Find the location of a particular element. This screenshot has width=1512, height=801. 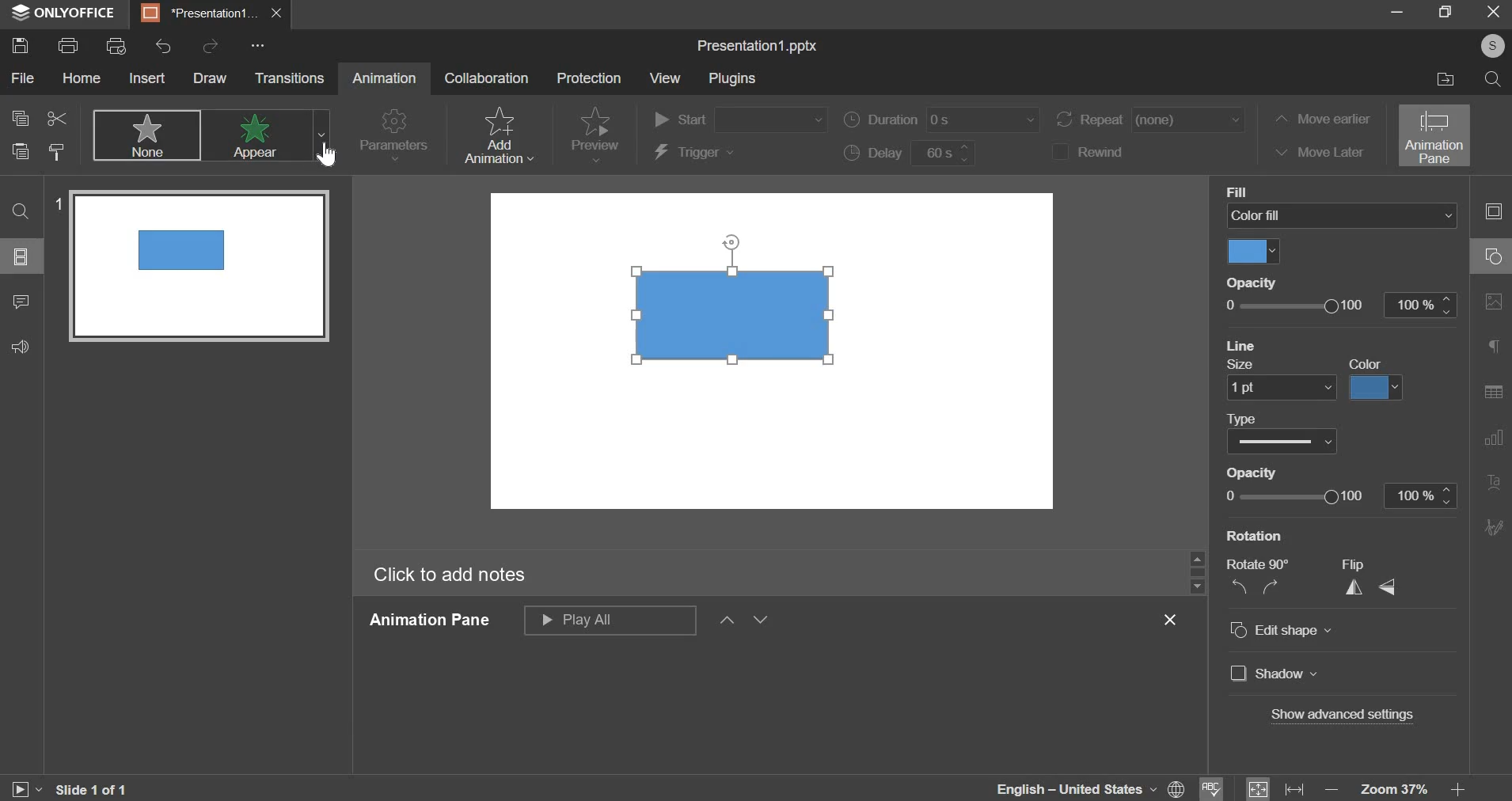

fit to size is located at coordinates (1259, 788).